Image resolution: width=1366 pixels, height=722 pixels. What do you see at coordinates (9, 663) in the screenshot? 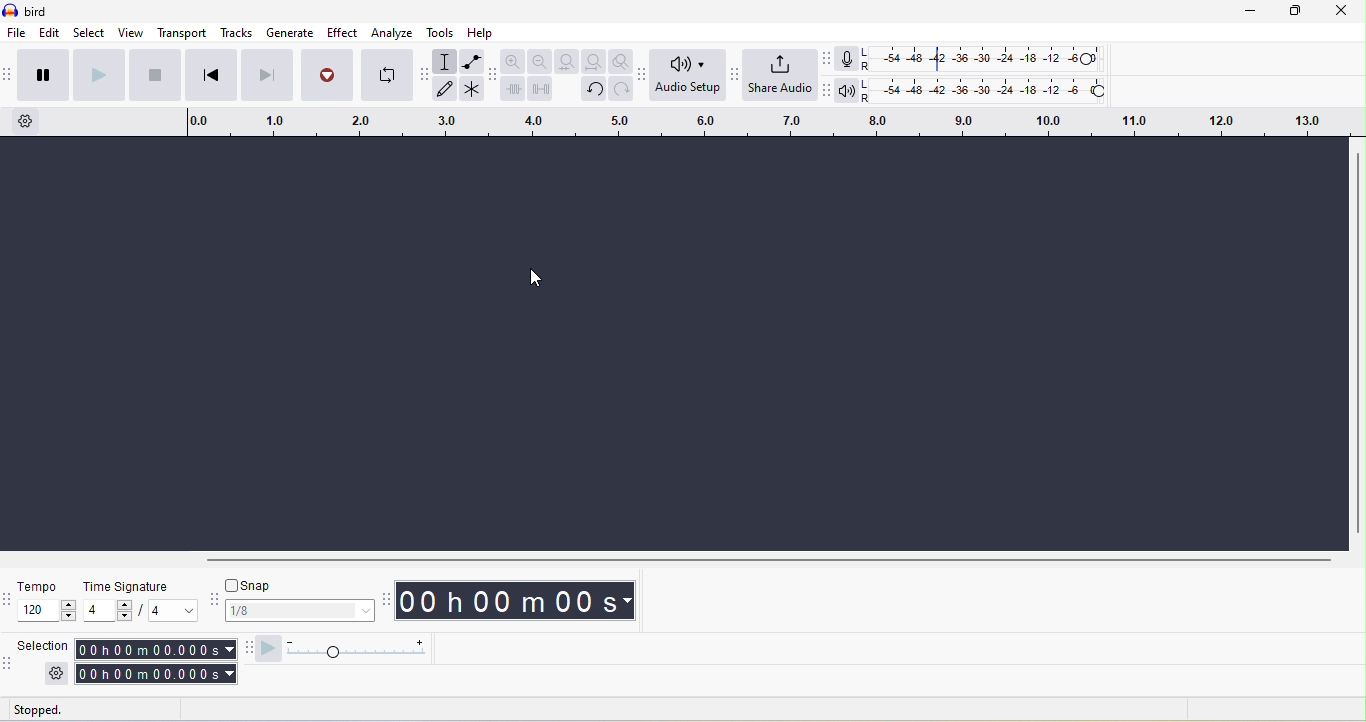
I see `audacity selection toolbar` at bounding box center [9, 663].